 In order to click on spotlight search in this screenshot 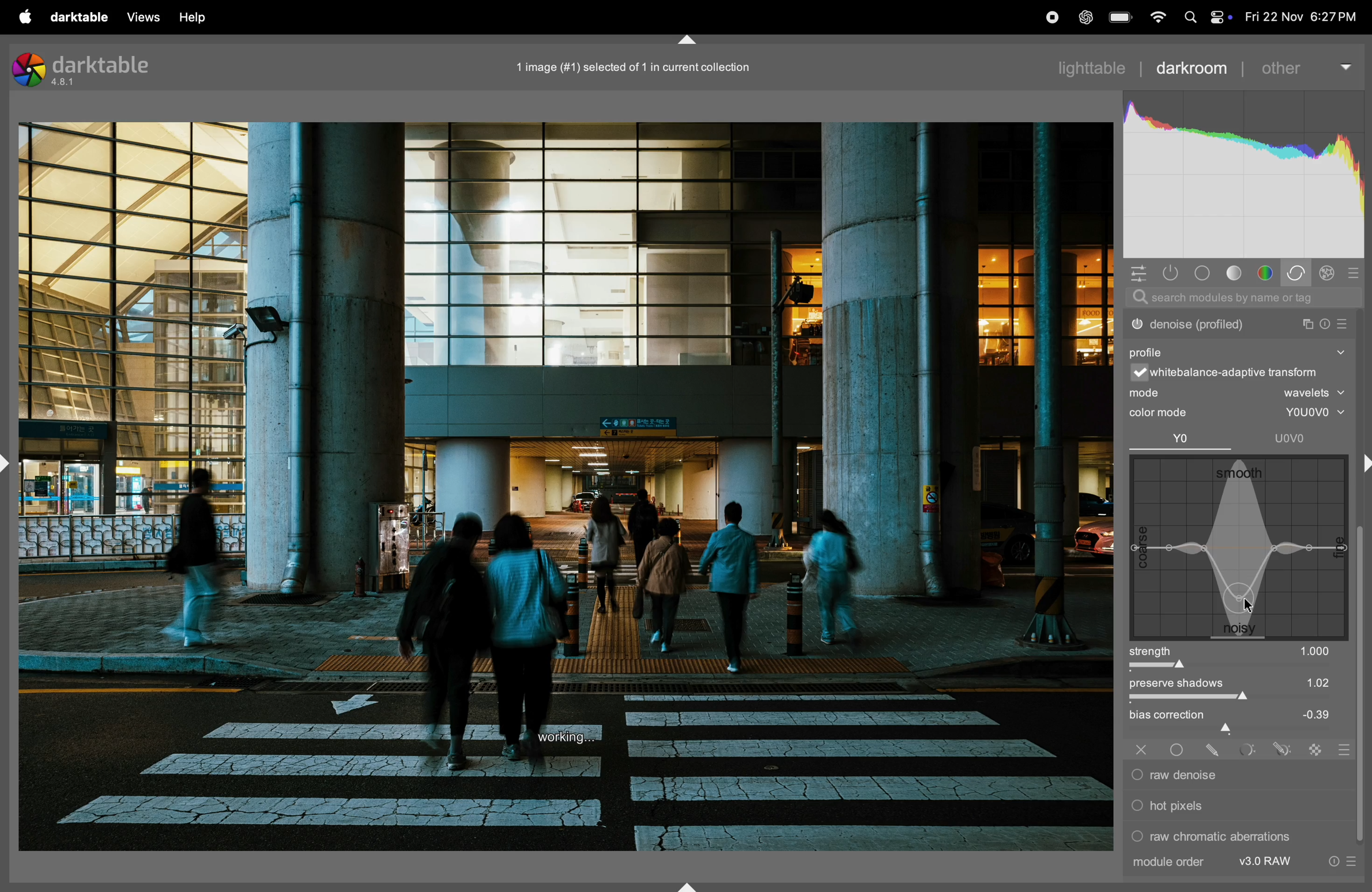, I will do `click(1190, 20)`.